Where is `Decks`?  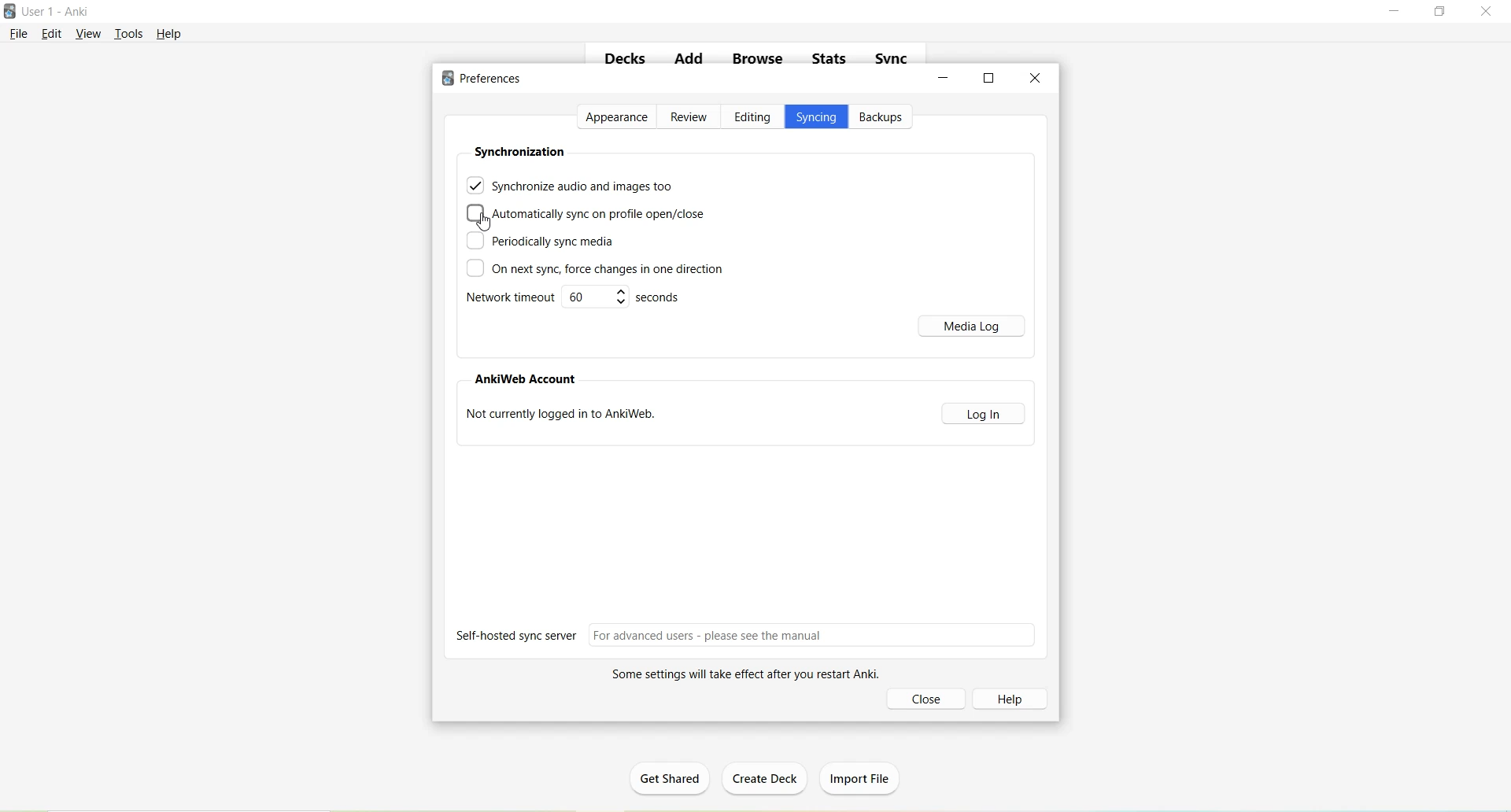 Decks is located at coordinates (626, 61).